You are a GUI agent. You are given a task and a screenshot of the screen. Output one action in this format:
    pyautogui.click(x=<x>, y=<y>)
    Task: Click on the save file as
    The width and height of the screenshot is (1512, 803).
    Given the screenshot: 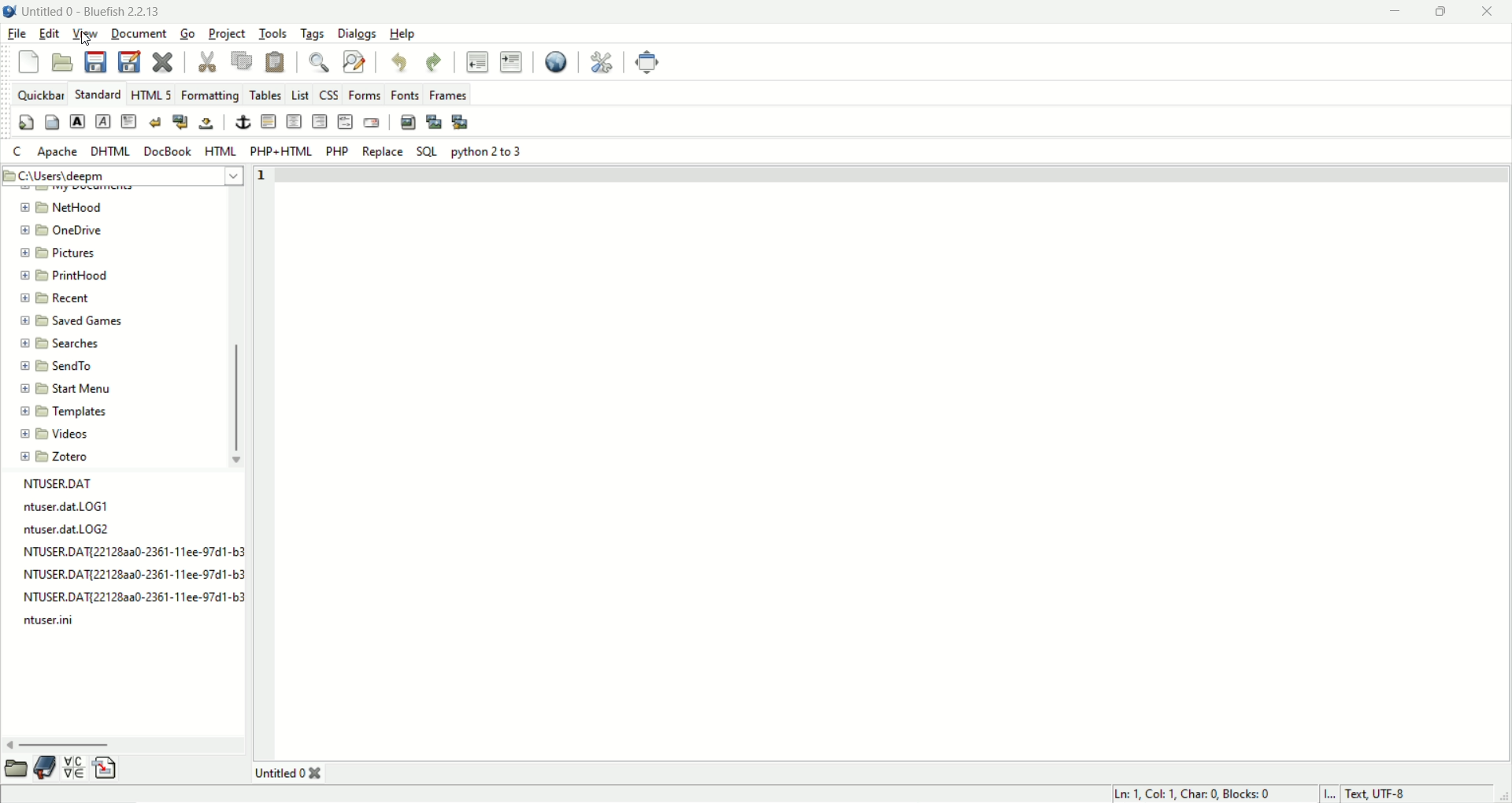 What is the action you would take?
    pyautogui.click(x=128, y=60)
    